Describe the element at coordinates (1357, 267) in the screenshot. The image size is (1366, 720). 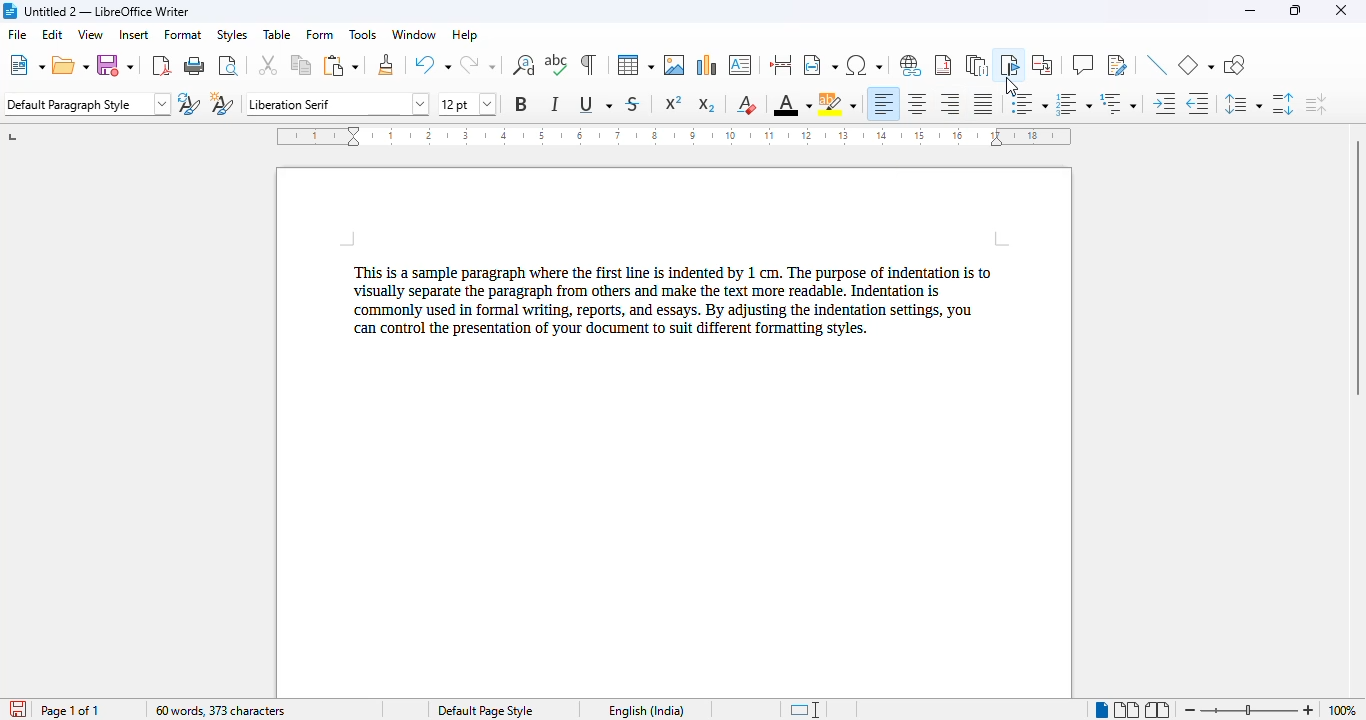
I see `vertical scroll bar` at that location.